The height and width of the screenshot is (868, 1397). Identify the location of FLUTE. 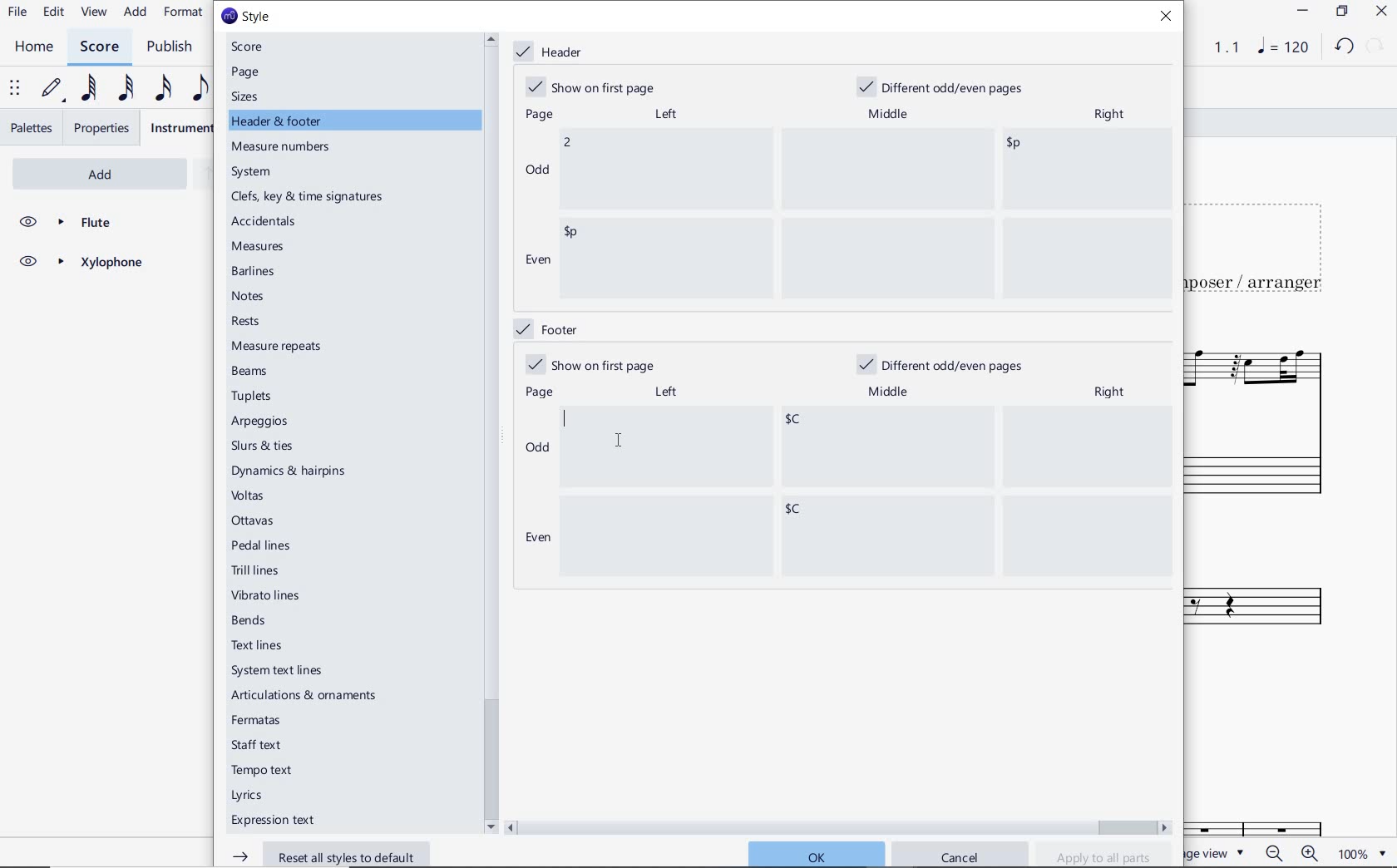
(1261, 419).